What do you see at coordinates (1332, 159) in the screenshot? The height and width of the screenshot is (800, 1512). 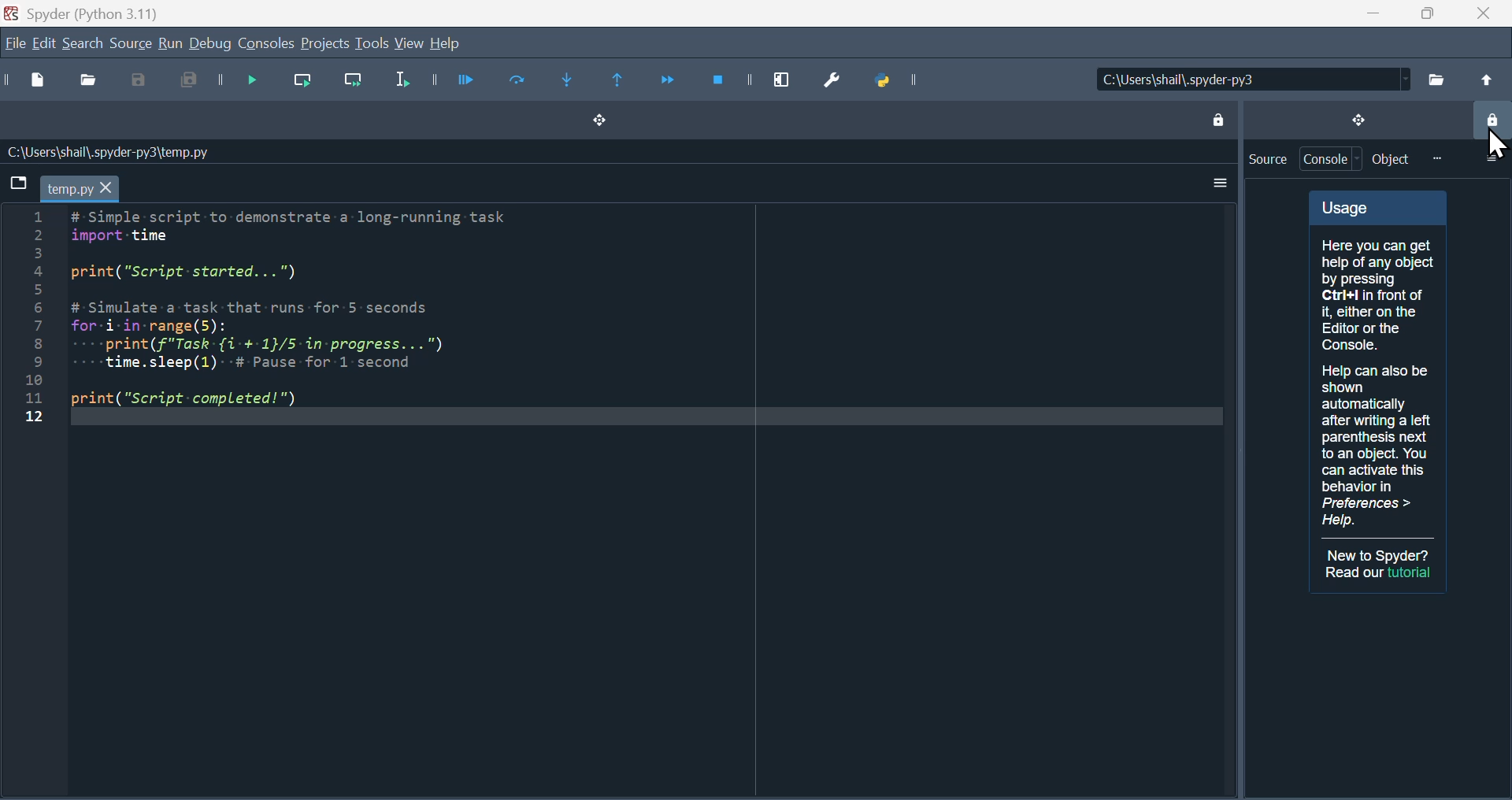 I see `Console` at bounding box center [1332, 159].